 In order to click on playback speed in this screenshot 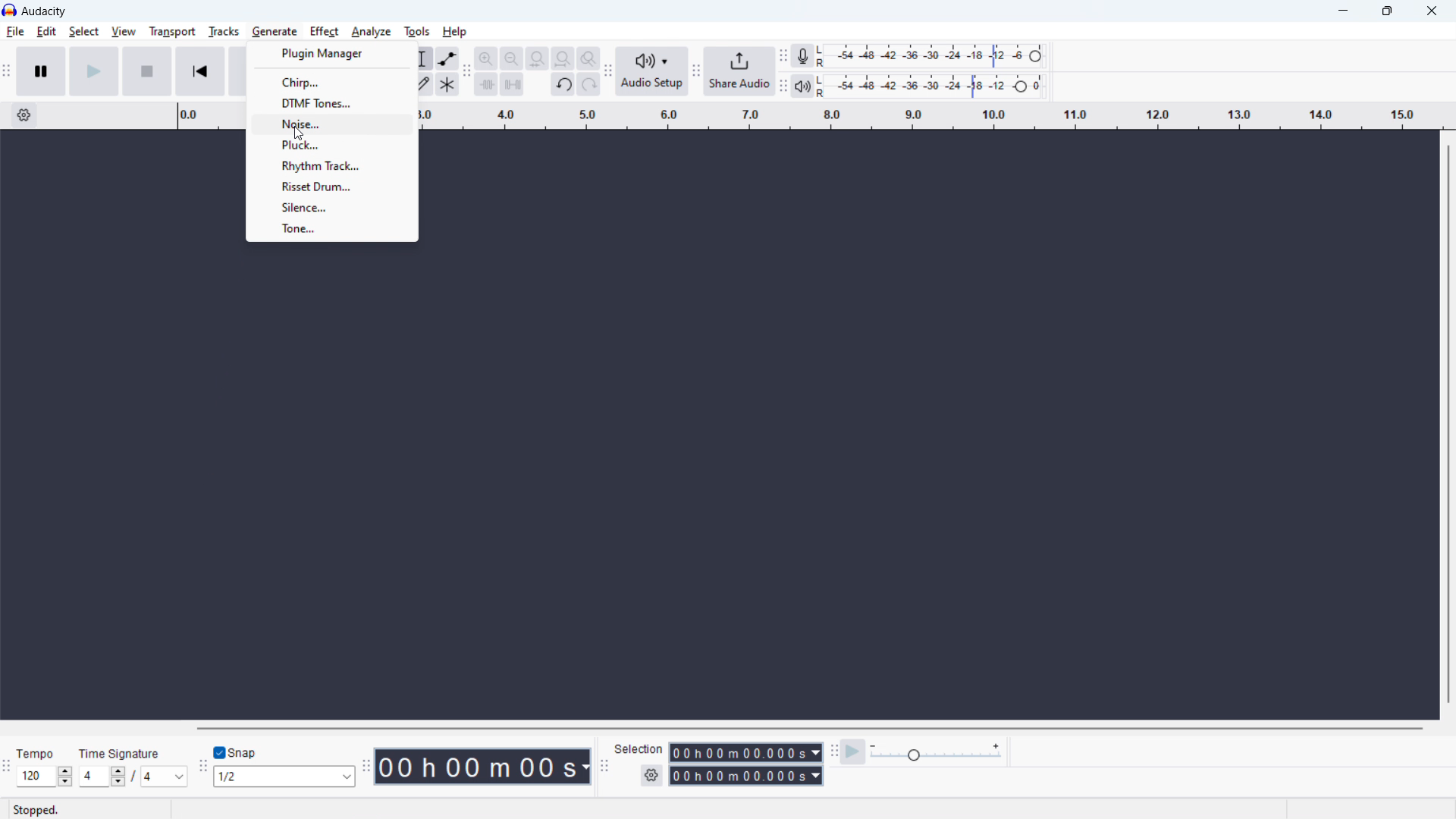, I will do `click(936, 753)`.